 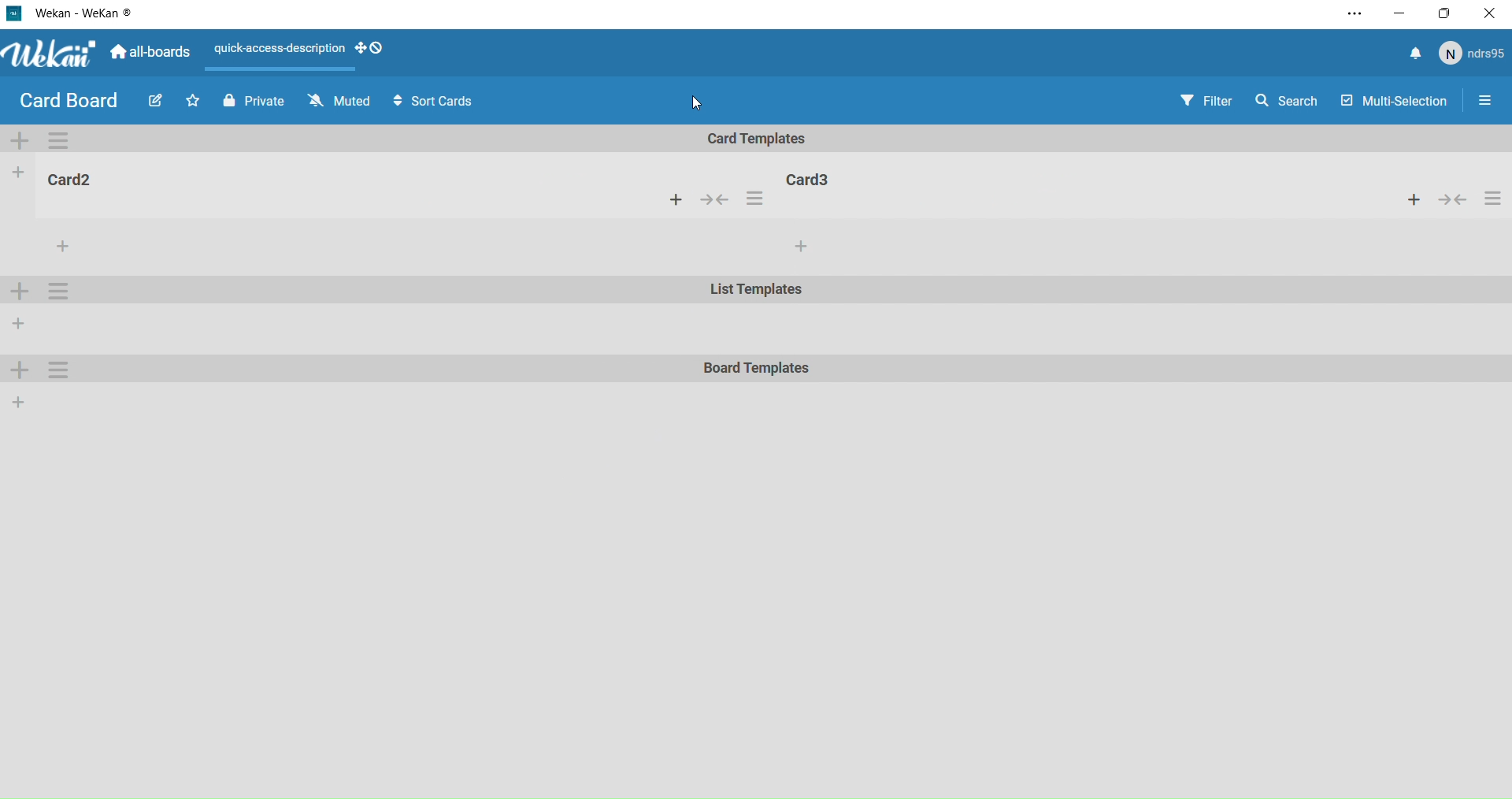 I want to click on Settings, so click(x=53, y=373).